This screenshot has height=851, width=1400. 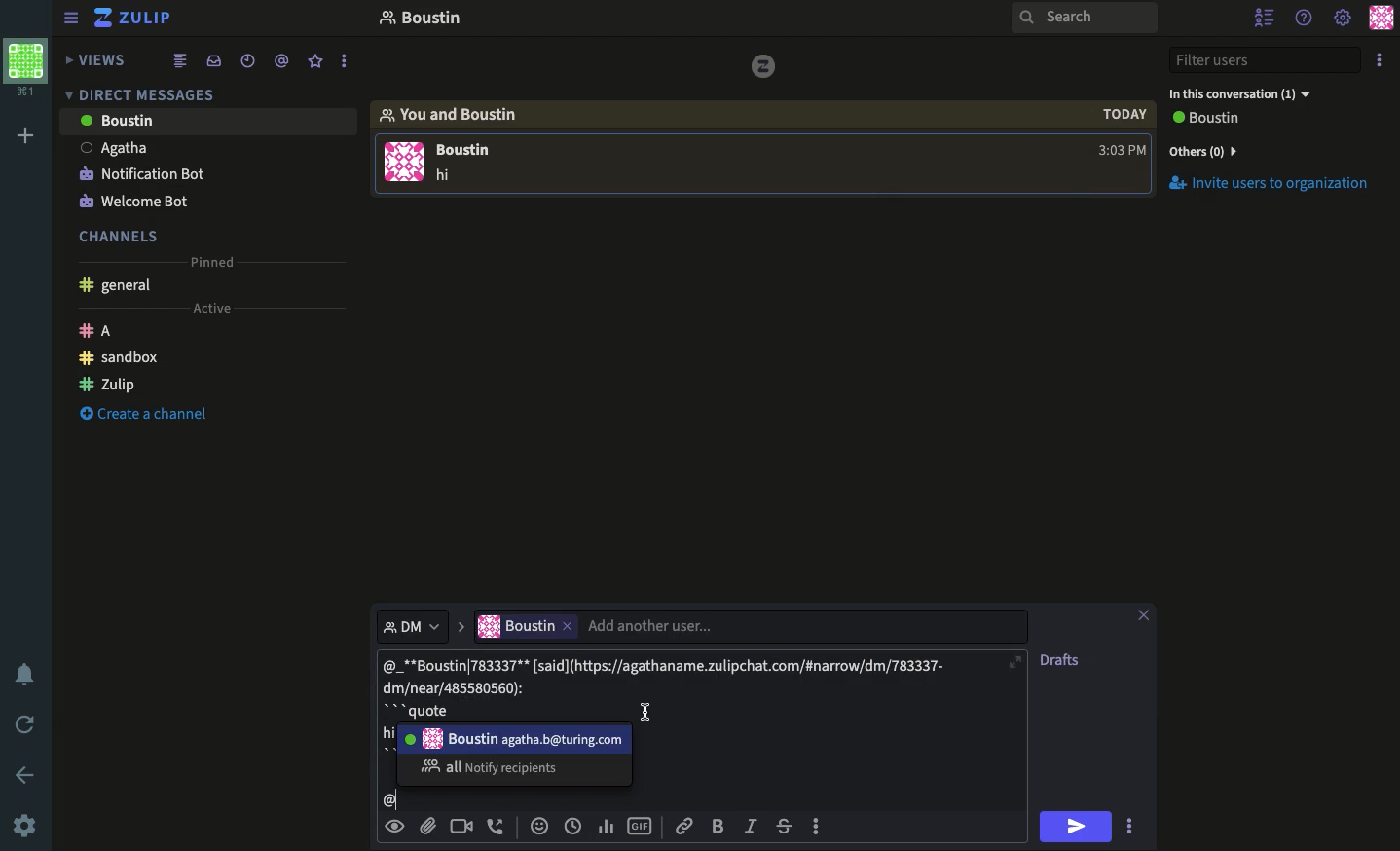 I want to click on Notification bot, so click(x=142, y=172).